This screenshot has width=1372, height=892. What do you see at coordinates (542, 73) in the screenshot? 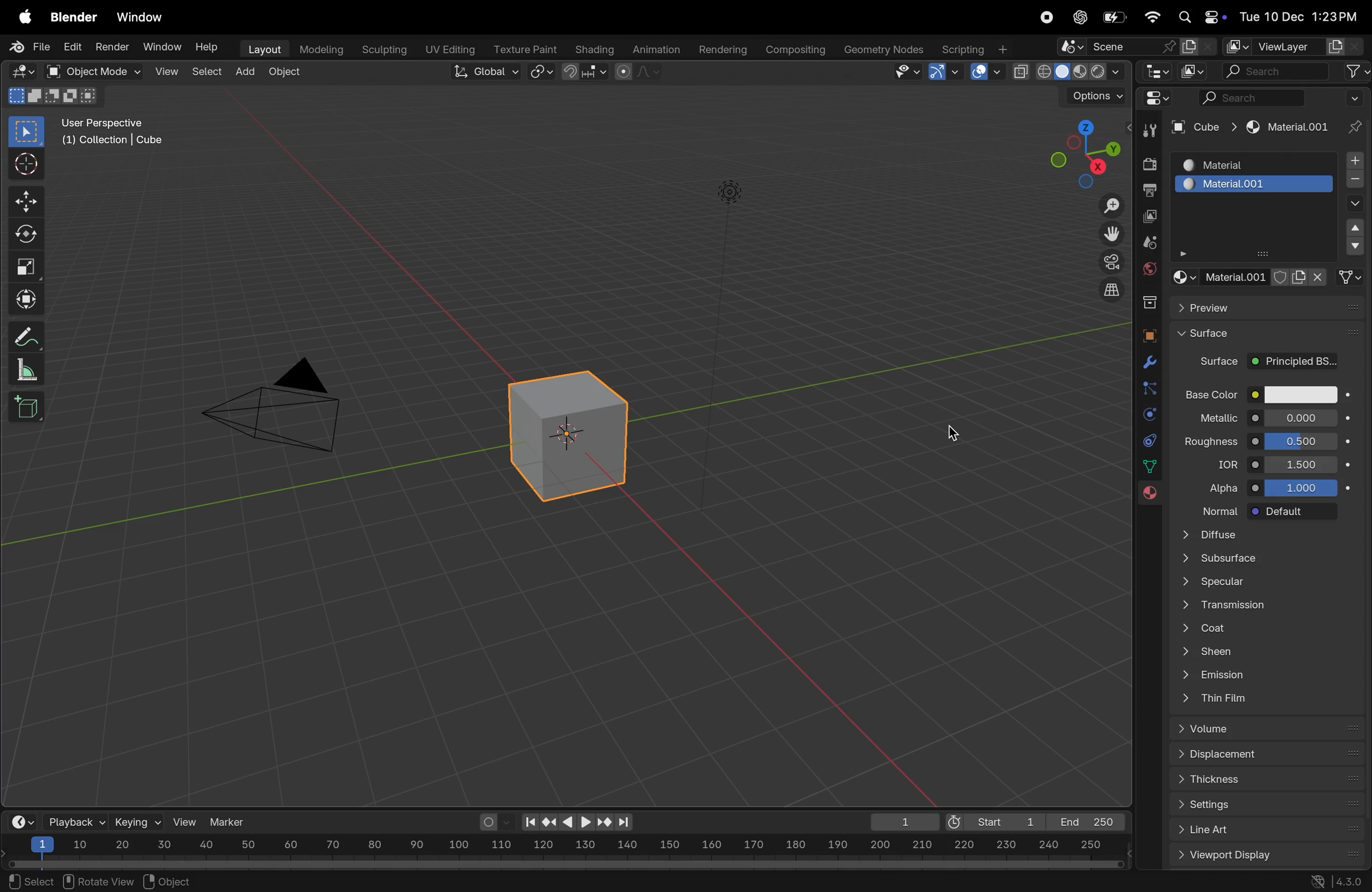
I see `snap` at bounding box center [542, 73].